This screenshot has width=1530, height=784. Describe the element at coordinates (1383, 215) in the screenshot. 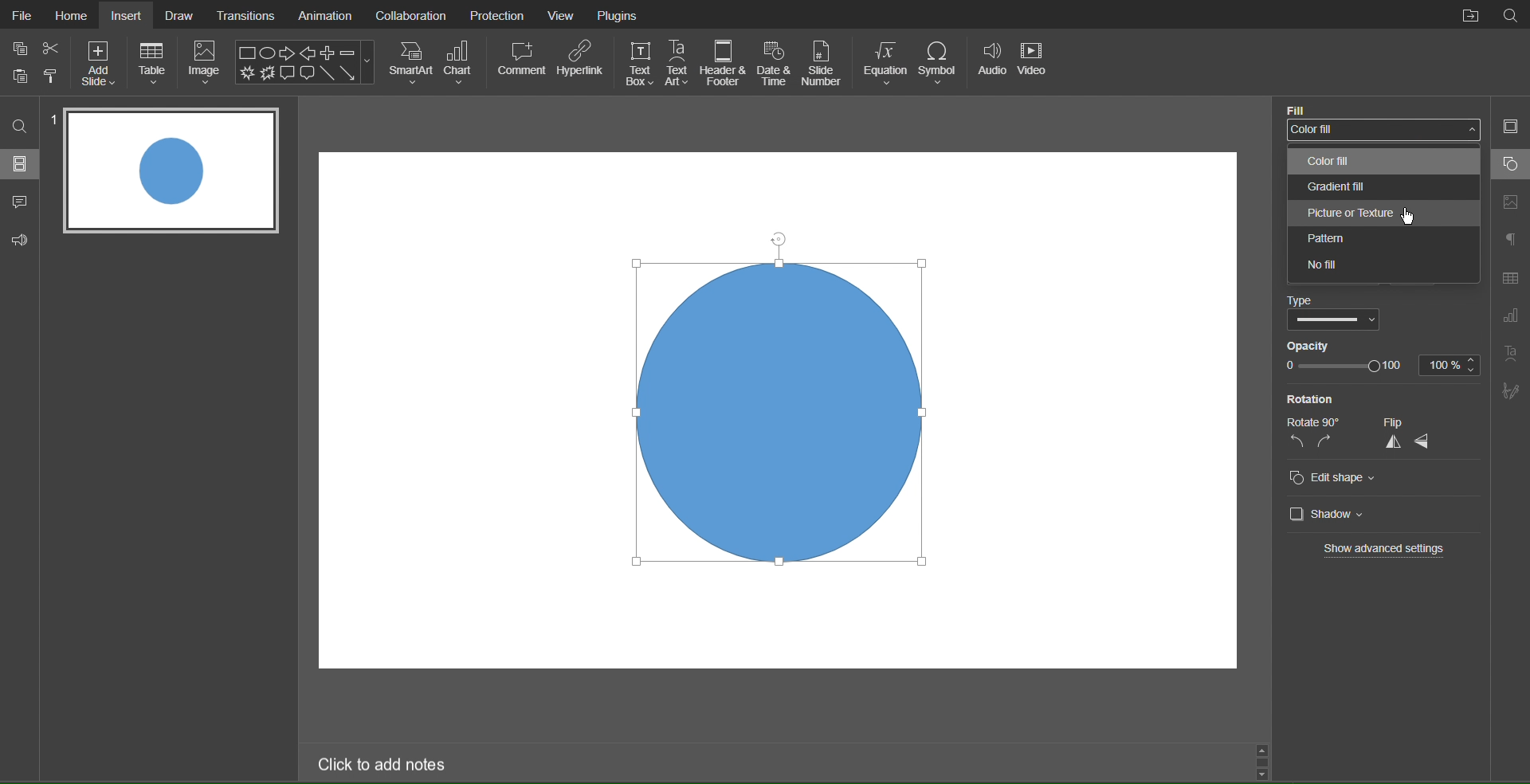

I see `Picture or Texture` at that location.